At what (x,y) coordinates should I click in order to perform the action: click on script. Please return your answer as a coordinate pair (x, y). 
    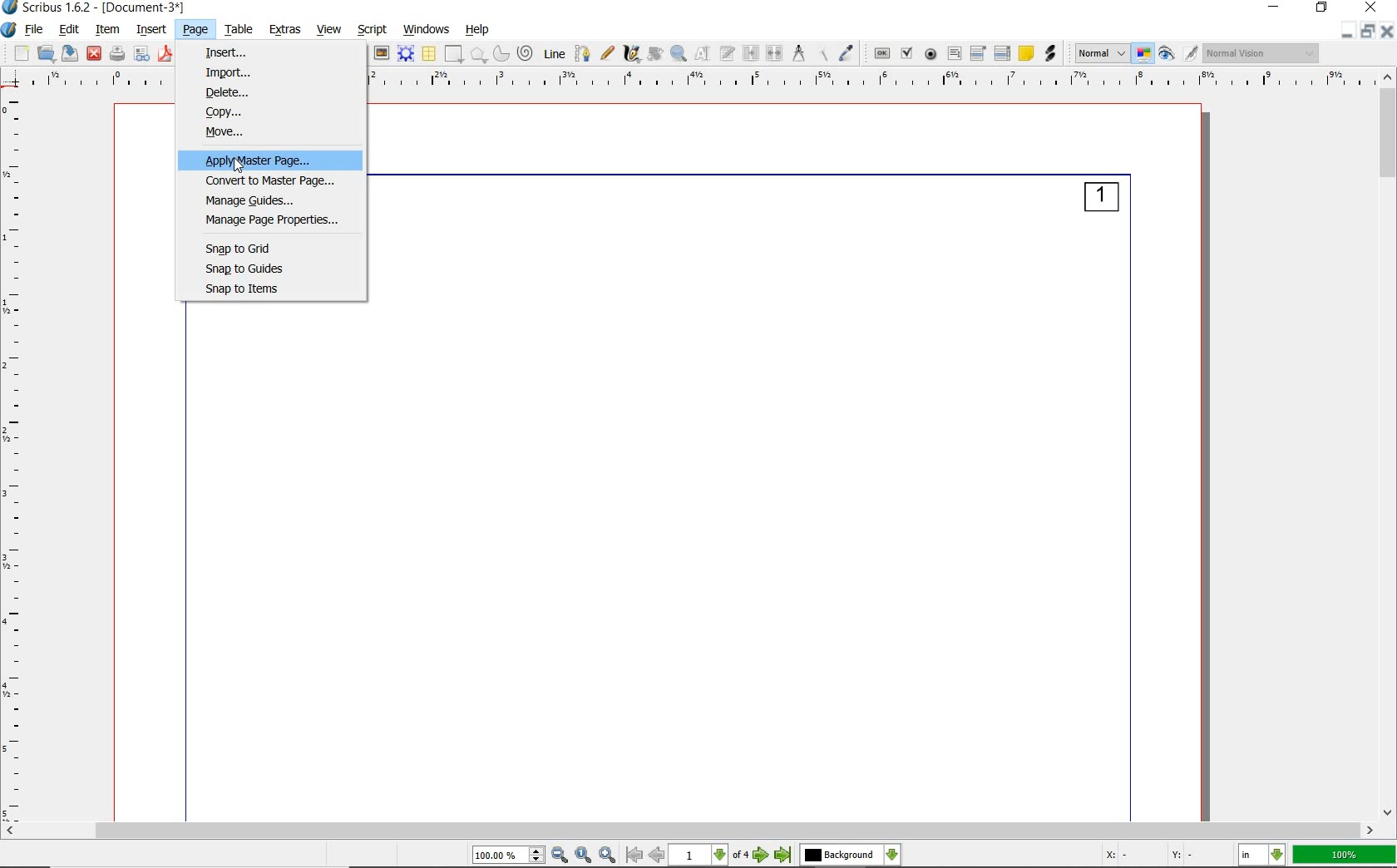
    Looking at the image, I should click on (371, 31).